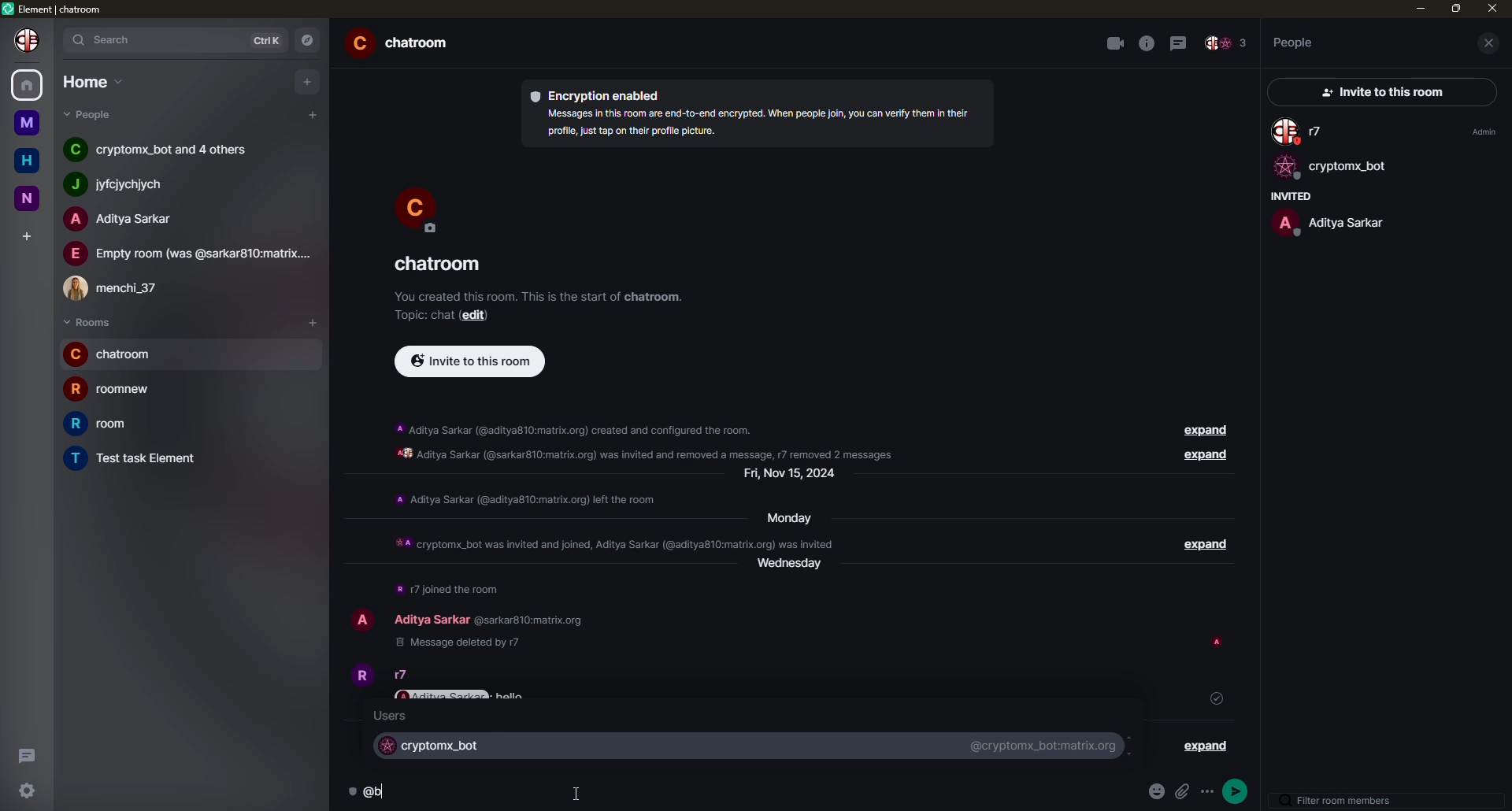 This screenshot has height=811, width=1512. Describe the element at coordinates (613, 542) in the screenshot. I see `info` at that location.